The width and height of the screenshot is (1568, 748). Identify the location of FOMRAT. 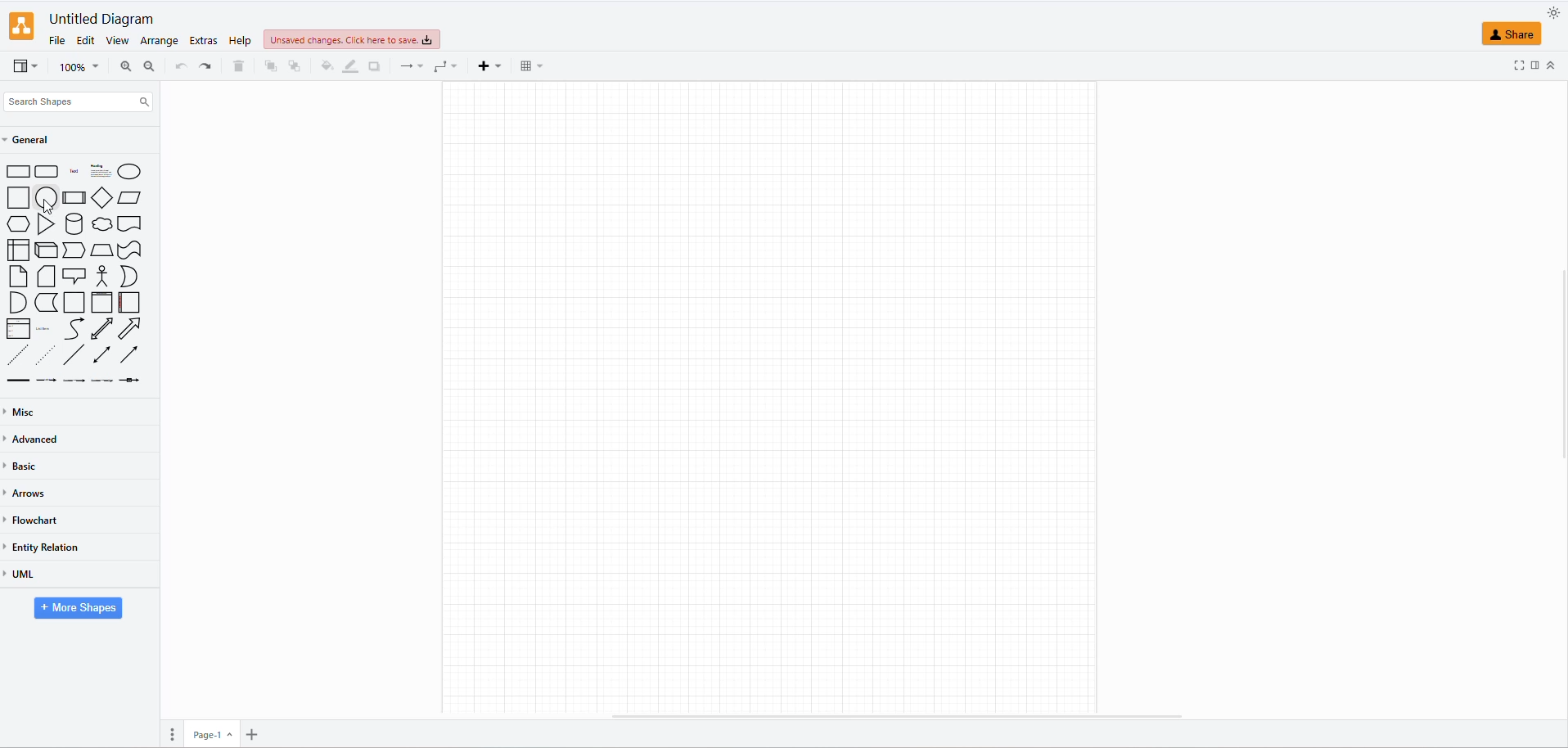
(1535, 63).